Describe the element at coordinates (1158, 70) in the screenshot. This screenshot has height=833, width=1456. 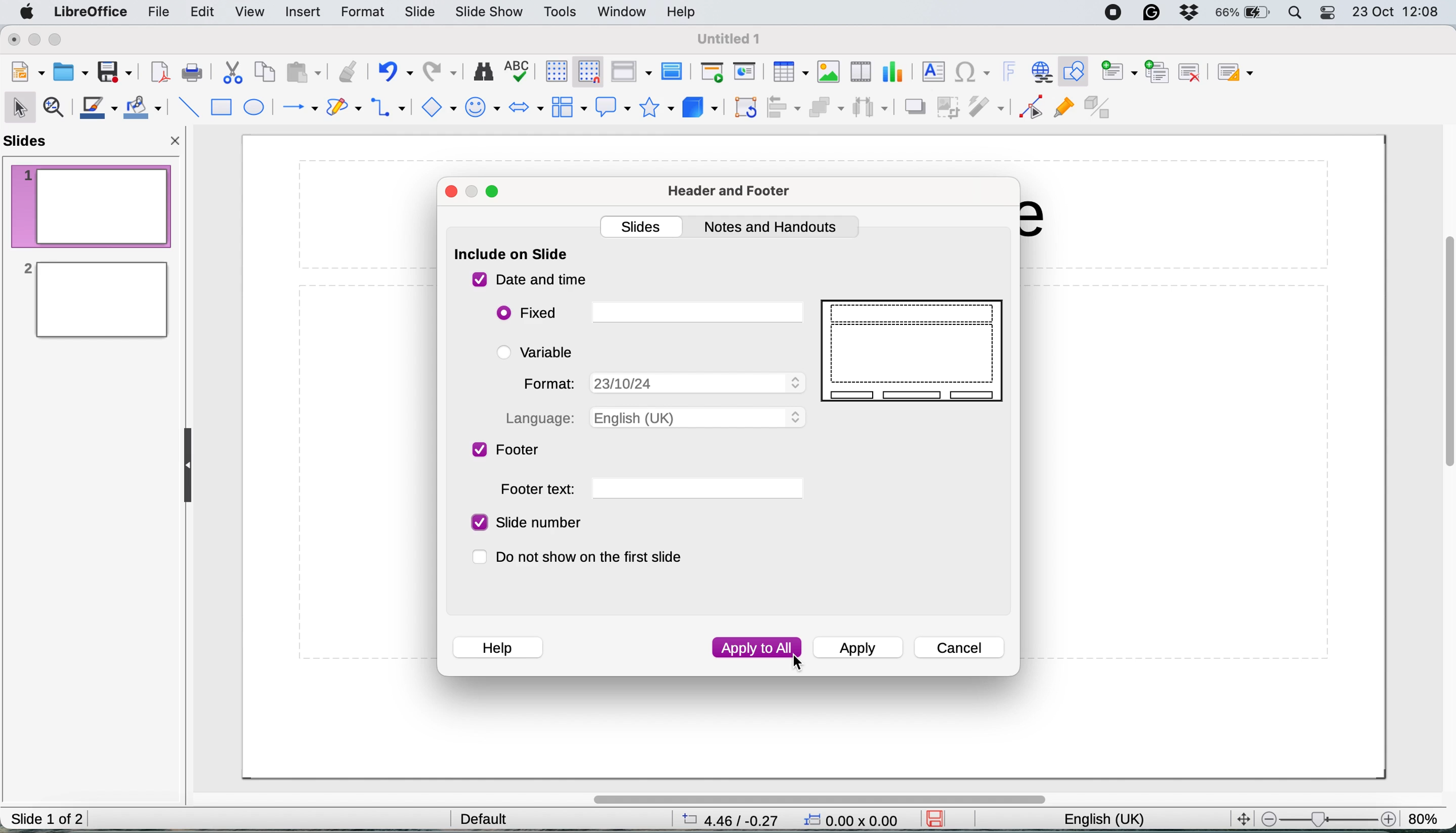
I see `duplicate slide` at that location.